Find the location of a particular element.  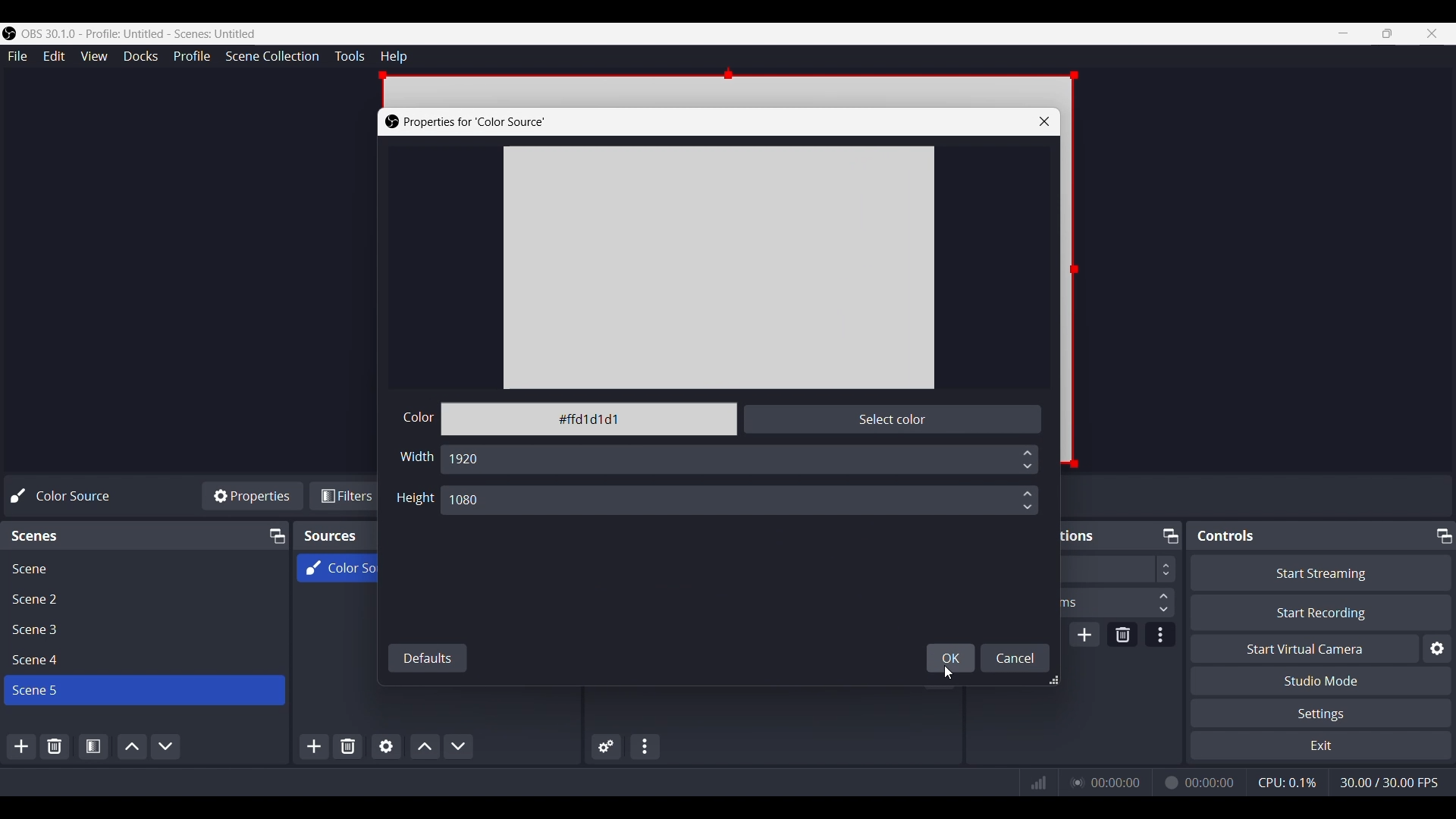

Settings is located at coordinates (1436, 647).